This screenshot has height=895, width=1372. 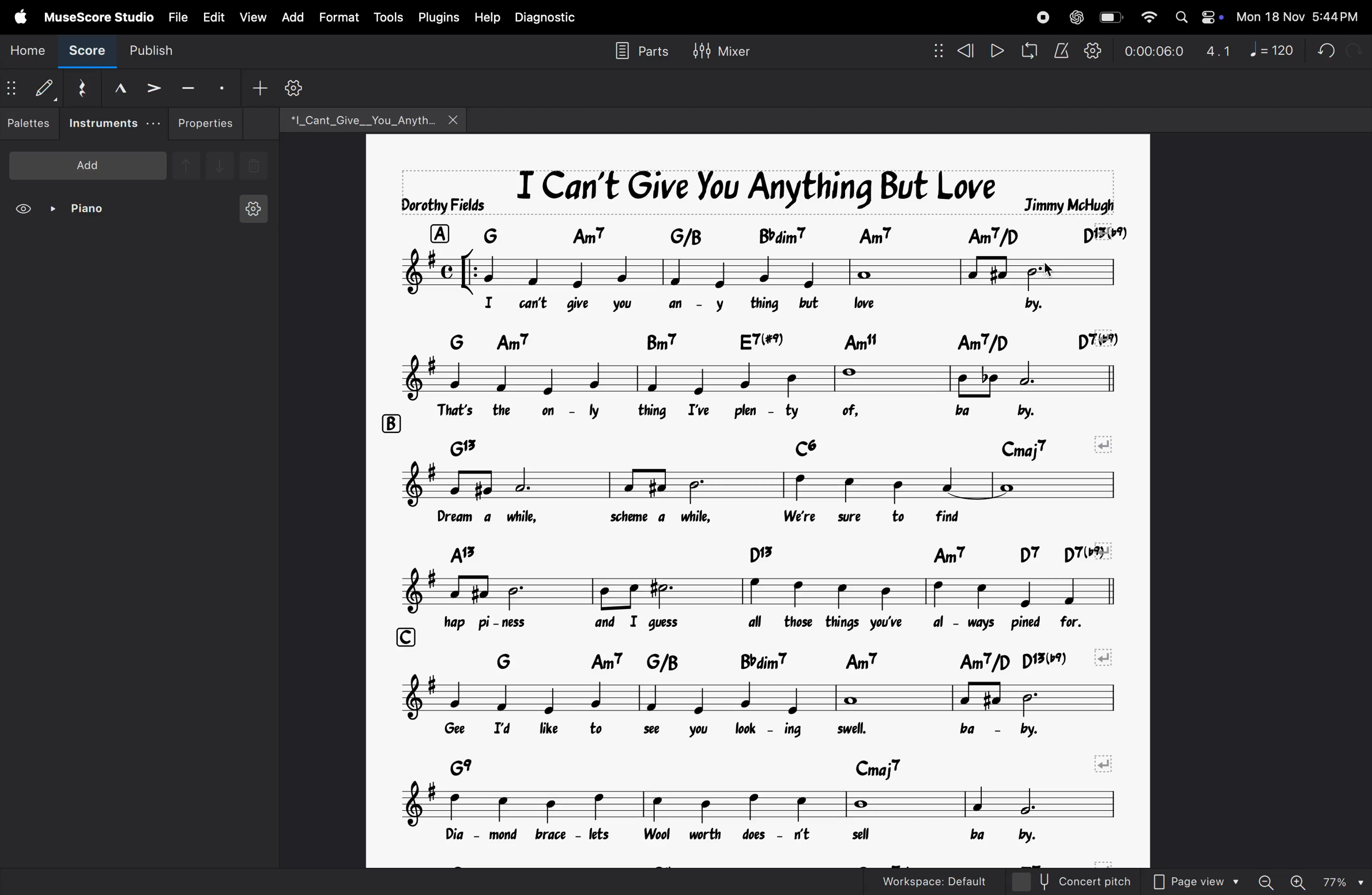 What do you see at coordinates (1049, 273) in the screenshot?
I see `cursor` at bounding box center [1049, 273].